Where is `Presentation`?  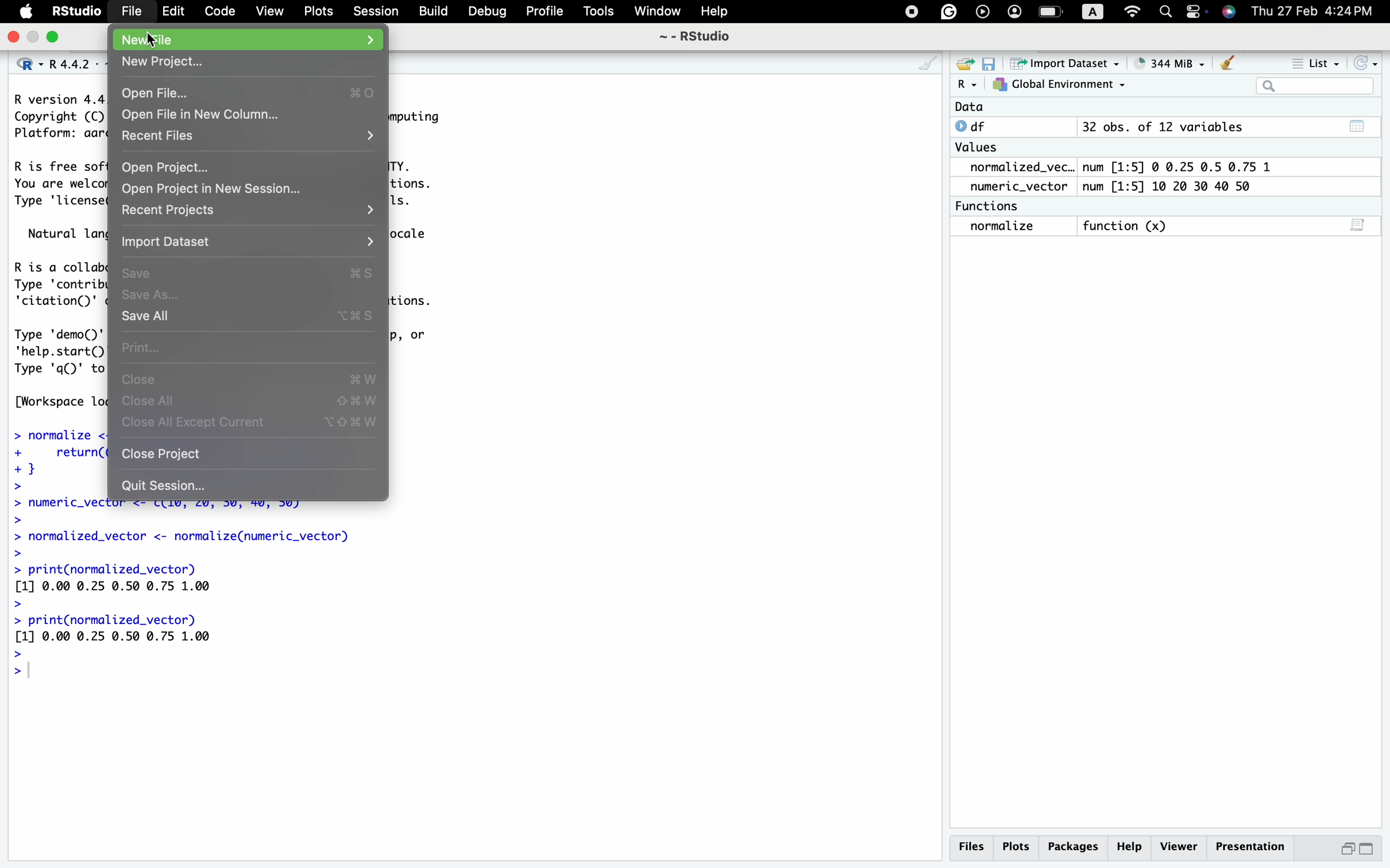
Presentation is located at coordinates (1253, 847).